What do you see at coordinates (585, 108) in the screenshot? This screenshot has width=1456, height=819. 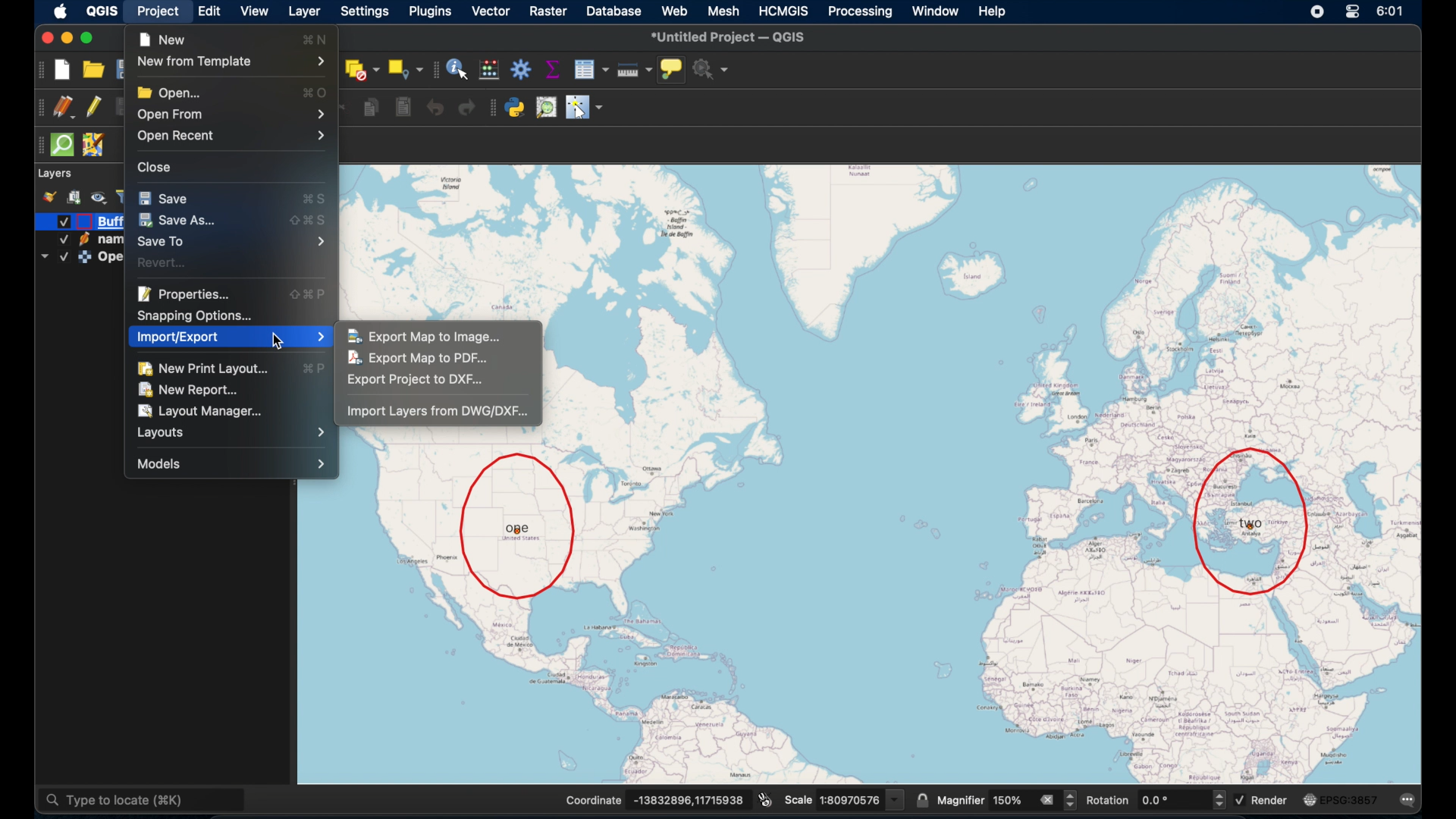 I see `switches mouse to configurable pointer` at bounding box center [585, 108].